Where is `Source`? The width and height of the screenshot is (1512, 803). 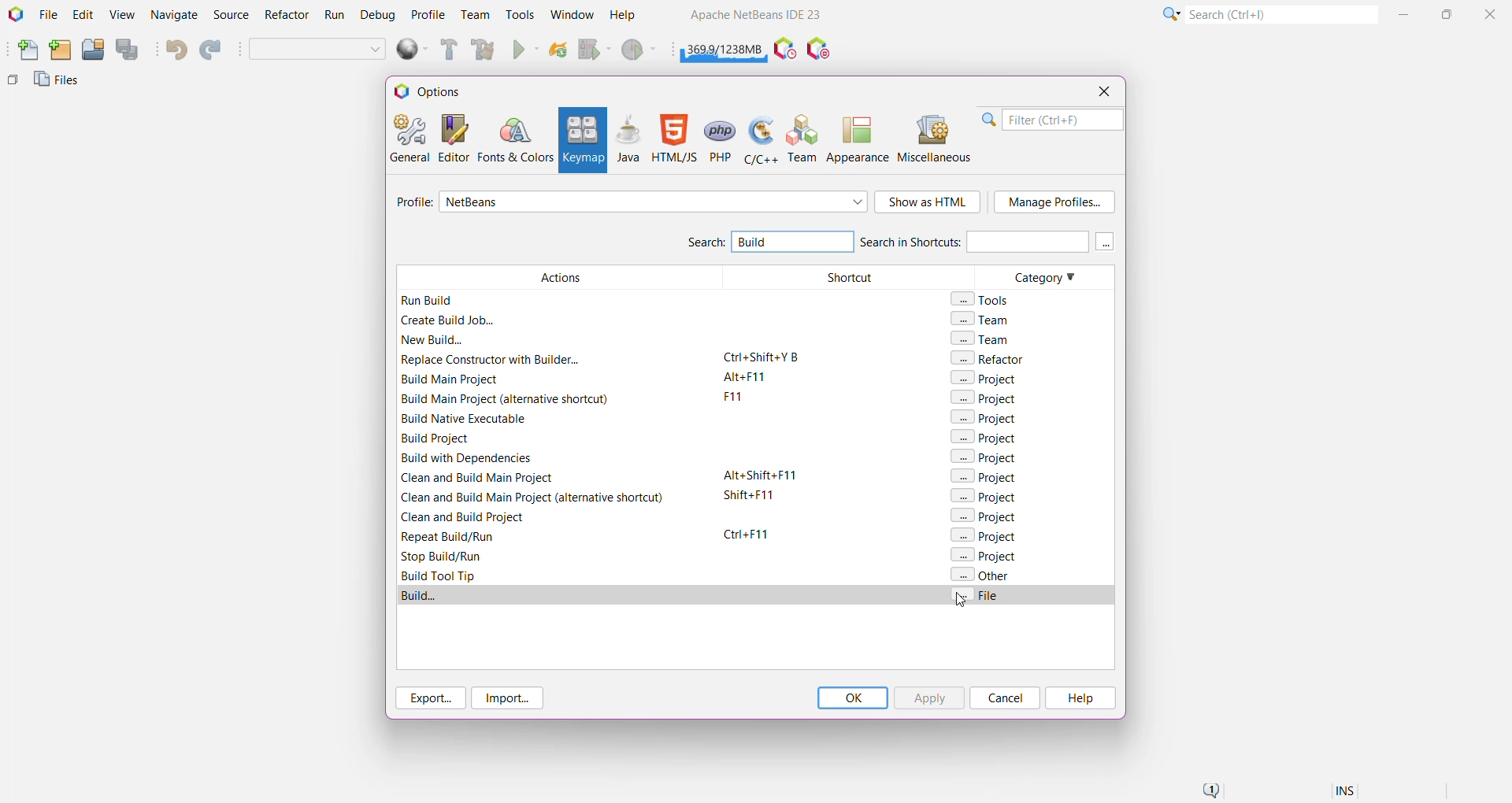
Source is located at coordinates (233, 15).